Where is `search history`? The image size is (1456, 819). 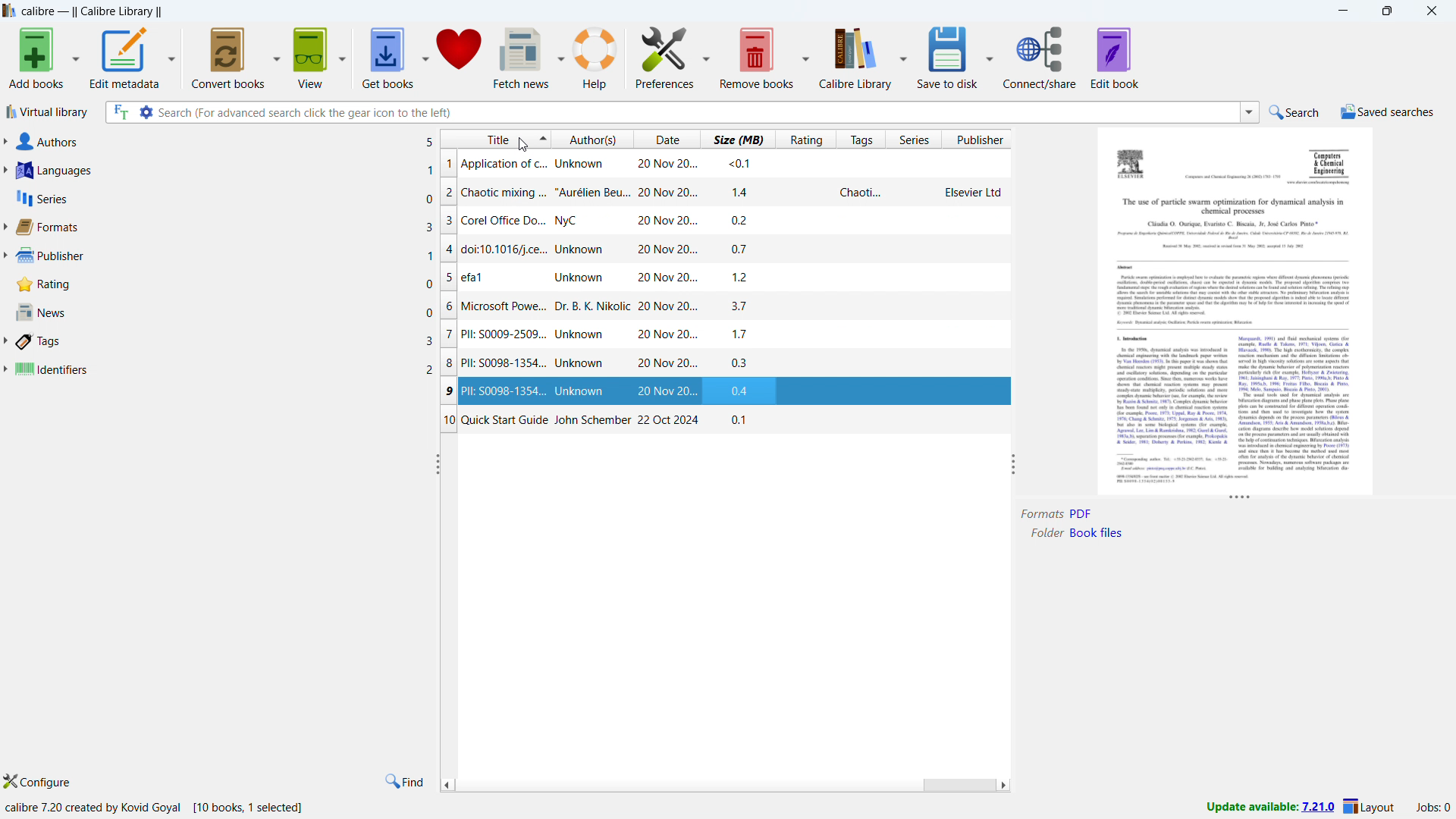
search history is located at coordinates (1250, 111).